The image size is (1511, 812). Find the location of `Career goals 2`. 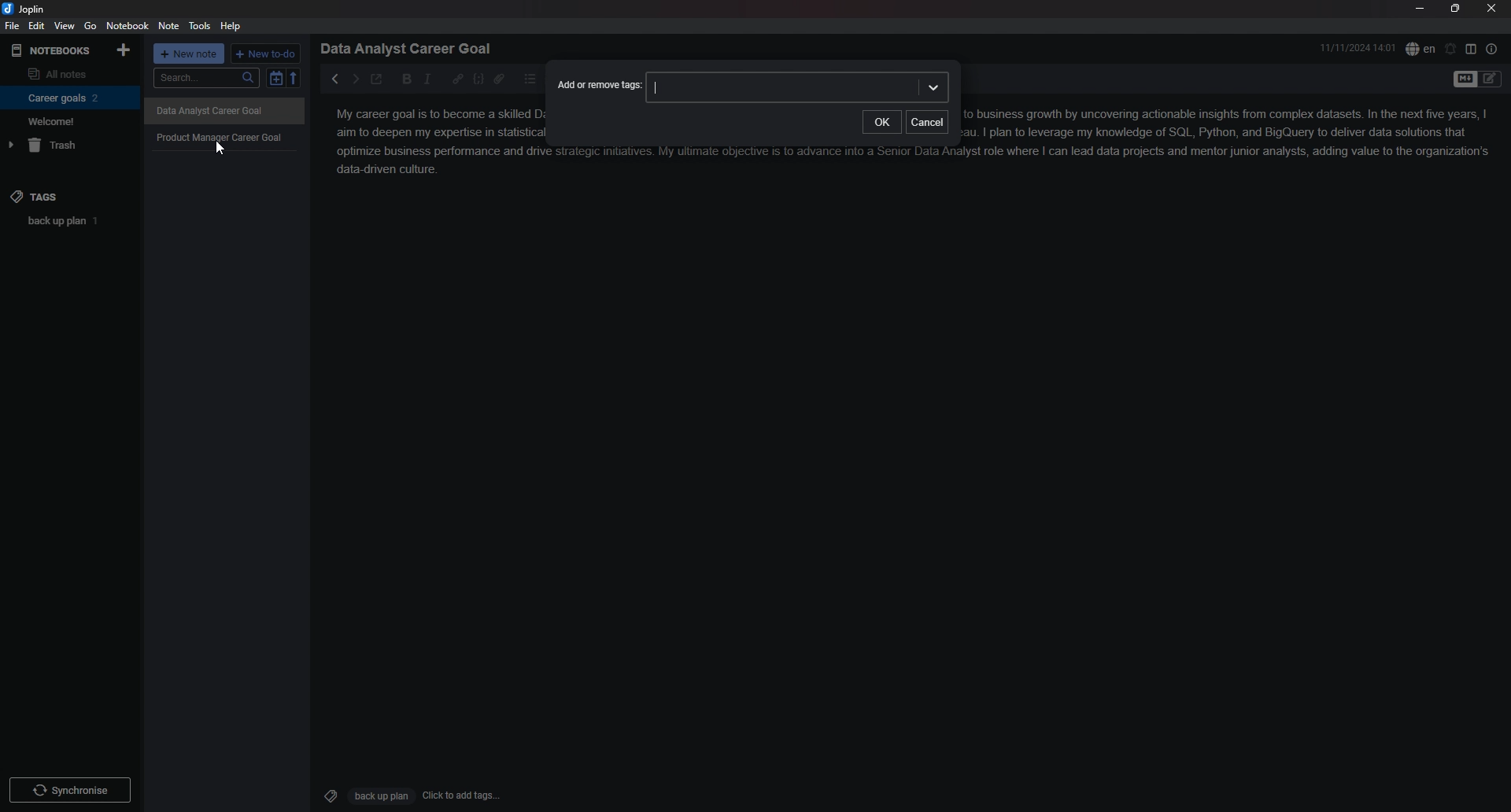

Career goals 2 is located at coordinates (67, 98).